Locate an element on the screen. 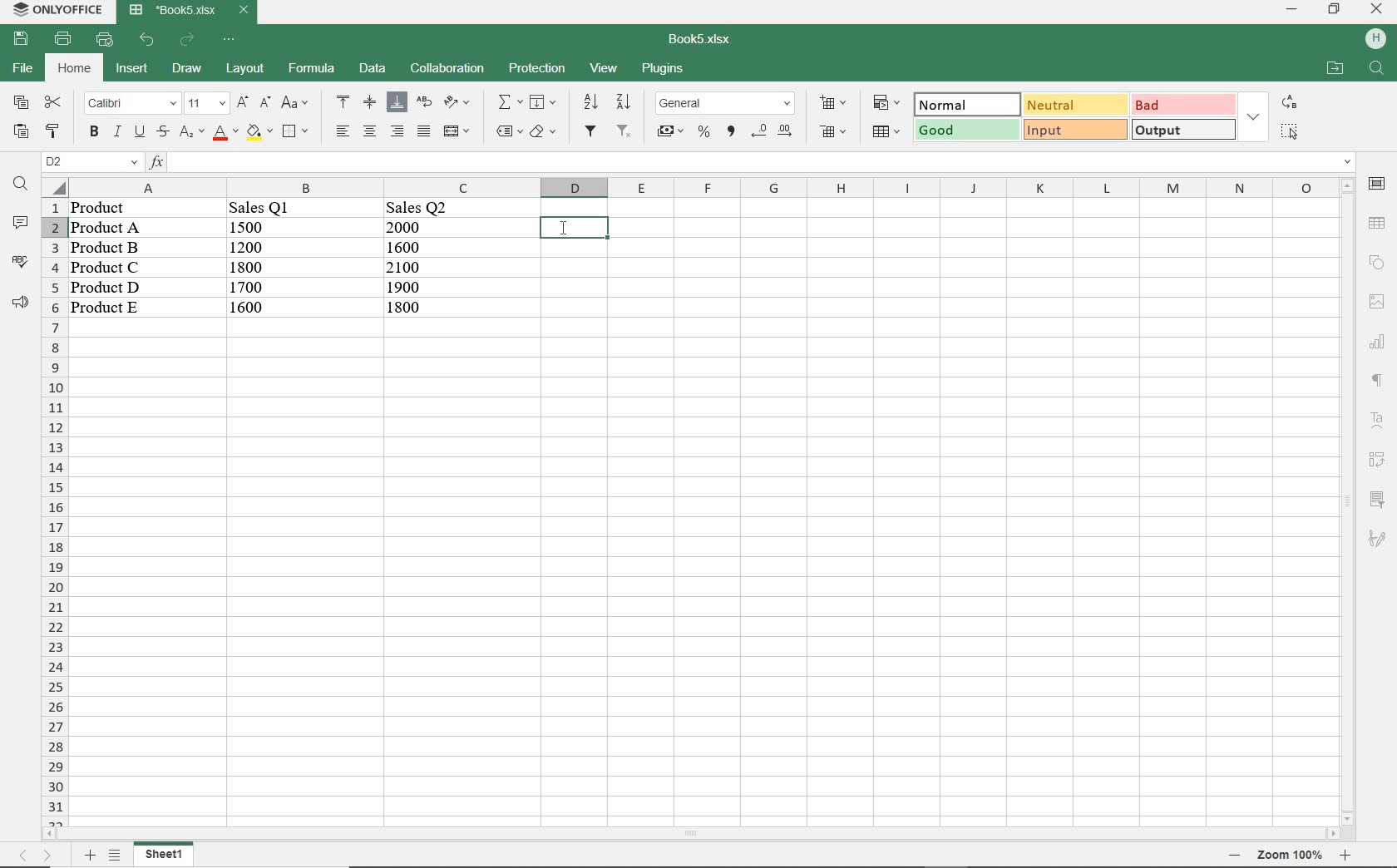 This screenshot has width=1397, height=868. columns is located at coordinates (697, 187).